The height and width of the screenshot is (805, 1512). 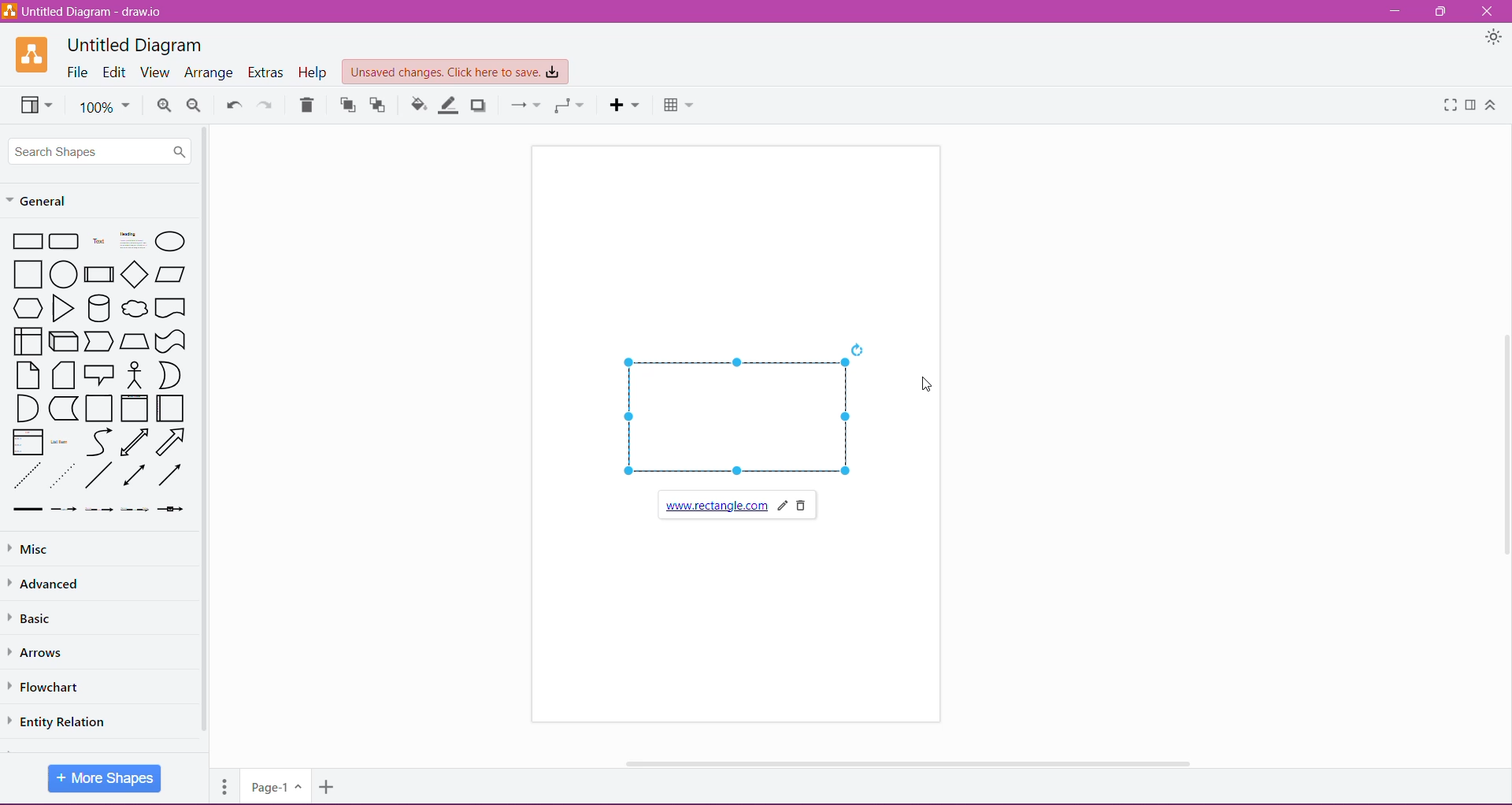 What do you see at coordinates (195, 106) in the screenshot?
I see `Zoom Out` at bounding box center [195, 106].